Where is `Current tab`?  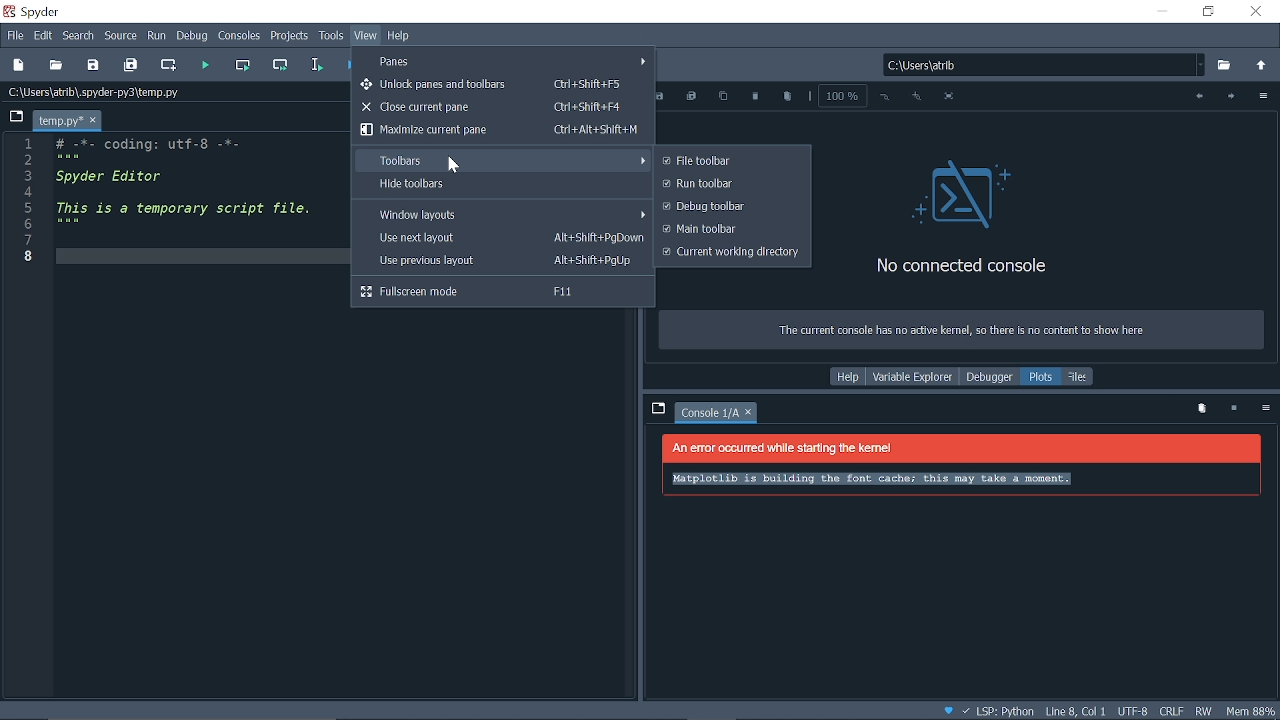
Current tab is located at coordinates (58, 120).